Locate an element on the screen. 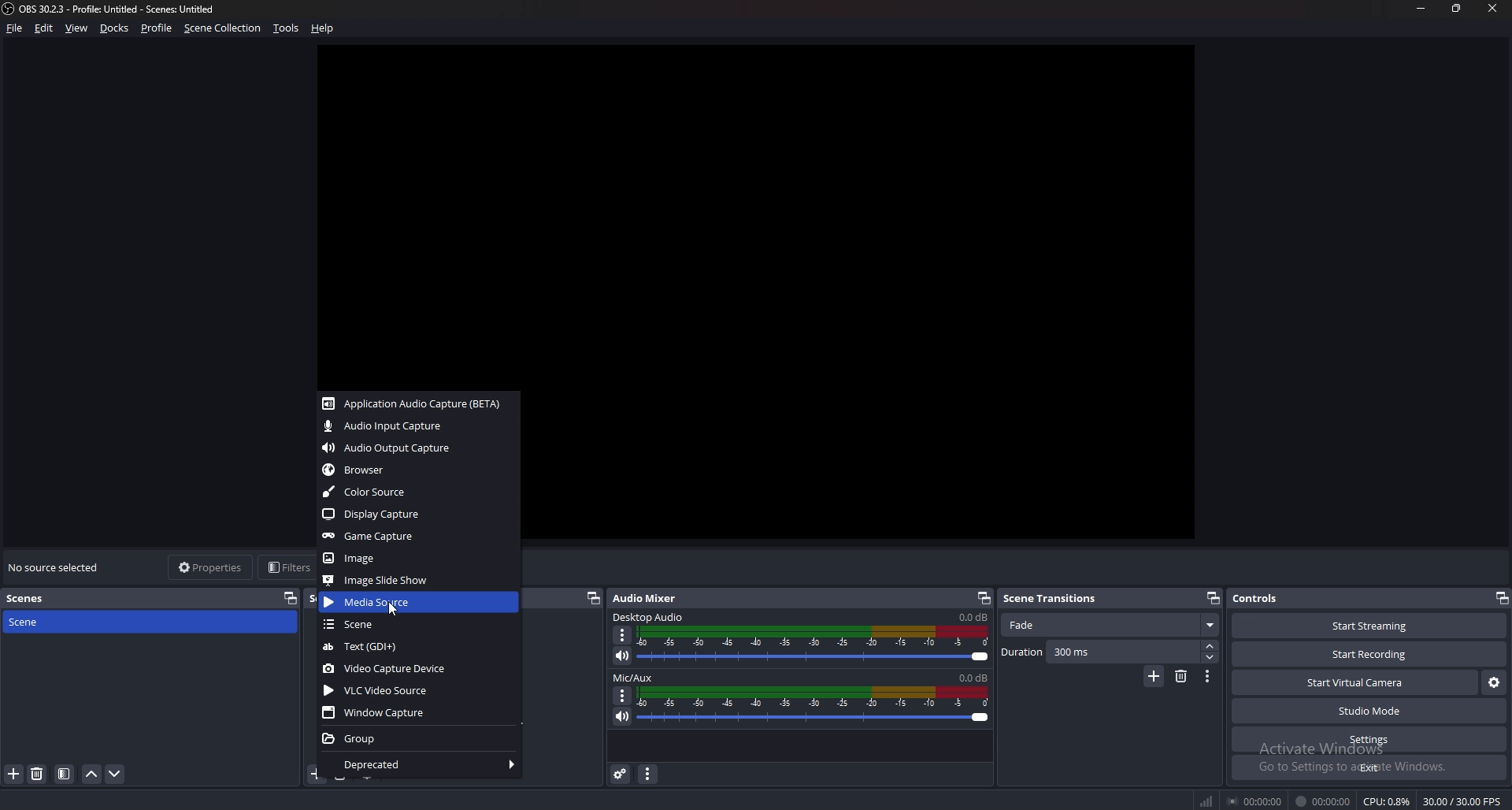 This screenshot has height=810, width=1512. Decrease duration is located at coordinates (1211, 657).